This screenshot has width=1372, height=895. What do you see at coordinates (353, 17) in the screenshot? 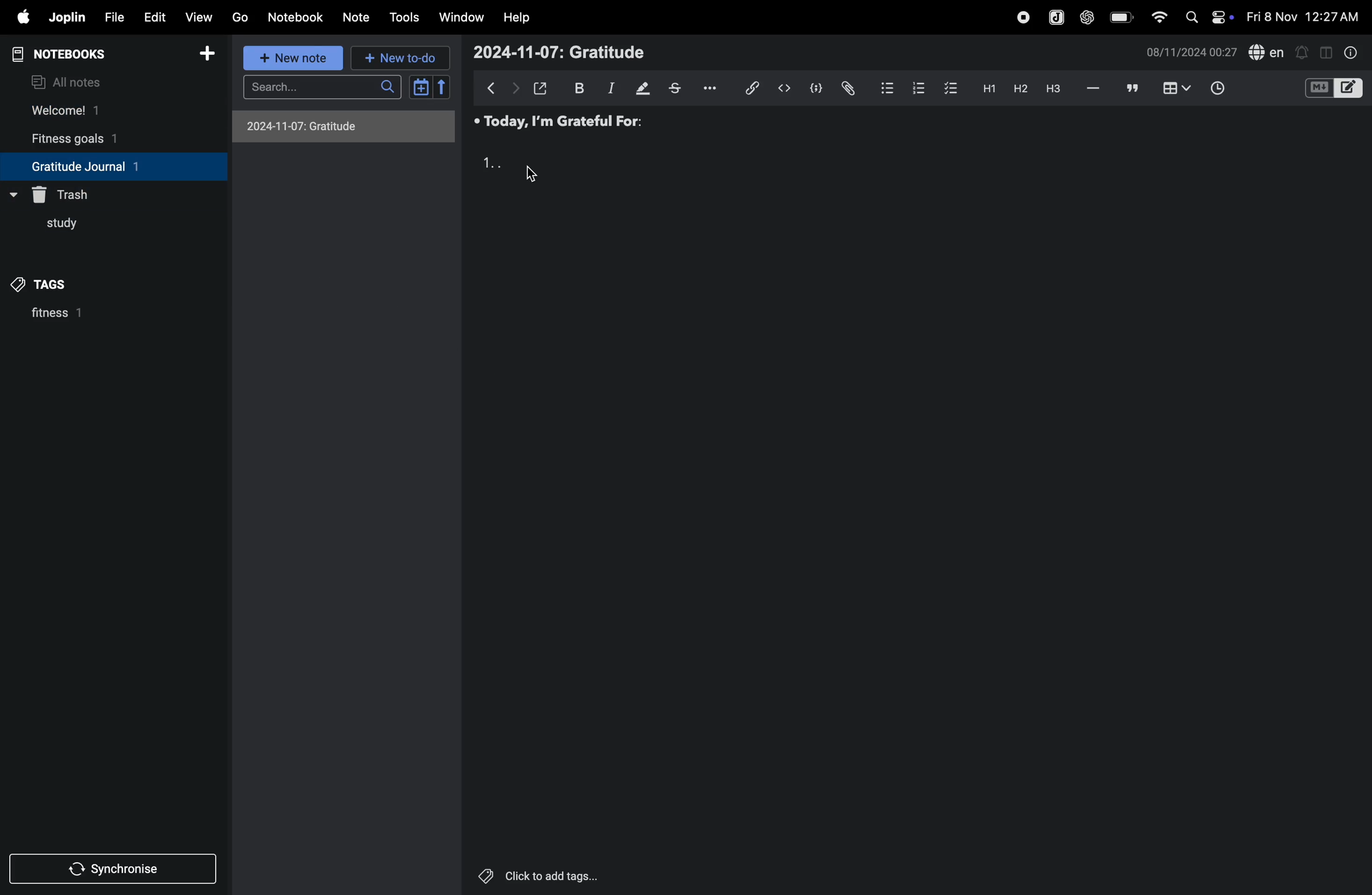
I see `note` at bounding box center [353, 17].